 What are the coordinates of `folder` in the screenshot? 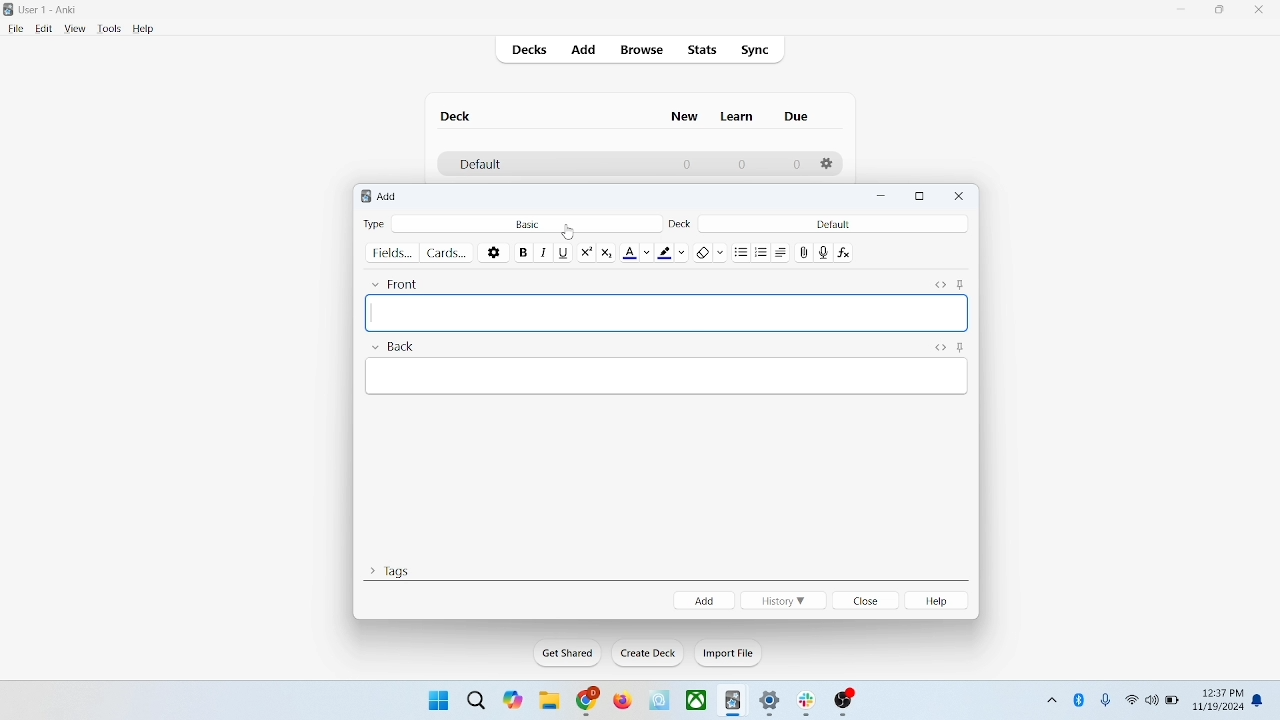 It's located at (548, 702).